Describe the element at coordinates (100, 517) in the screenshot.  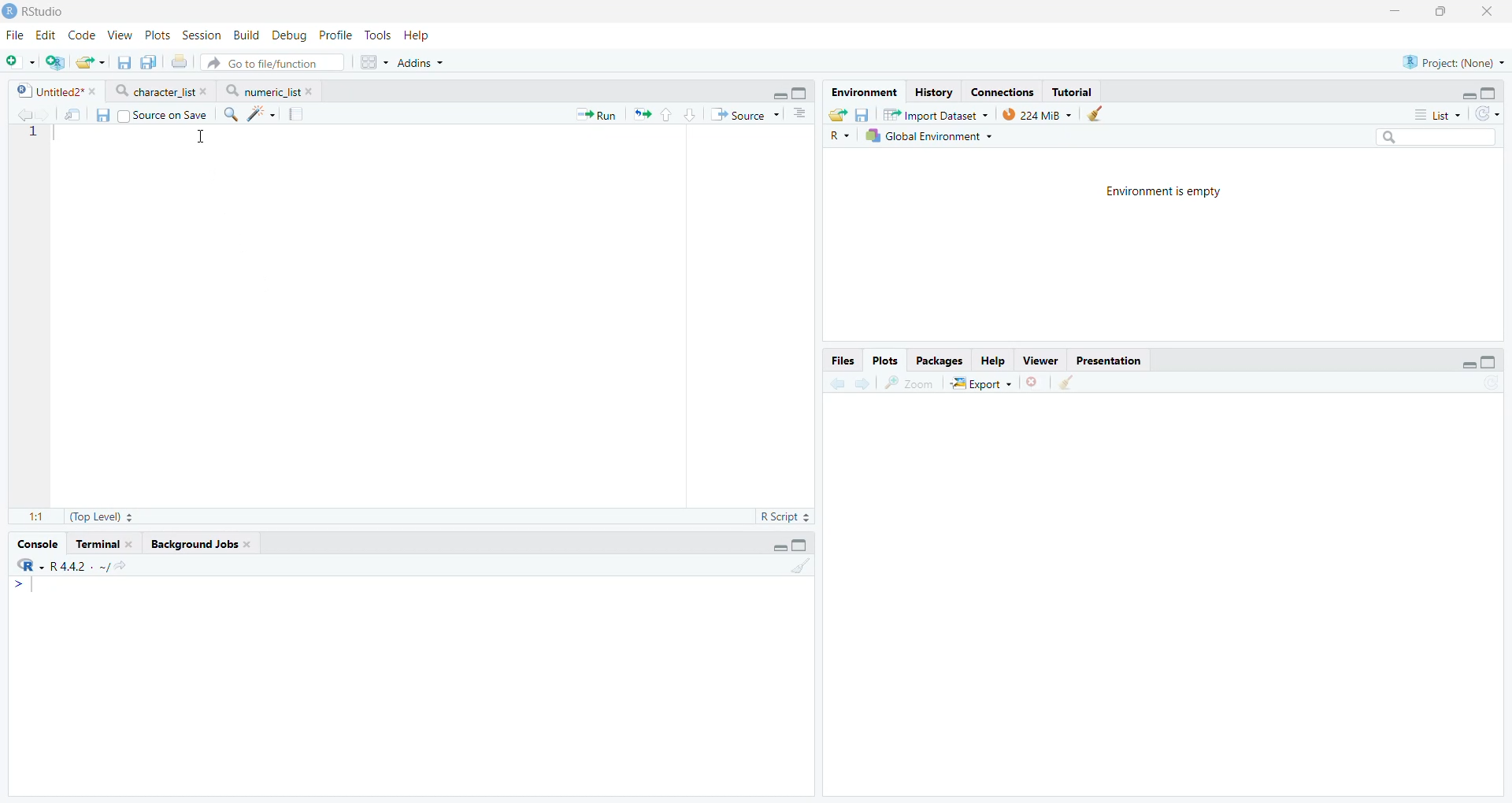
I see `(Top Level)` at that location.